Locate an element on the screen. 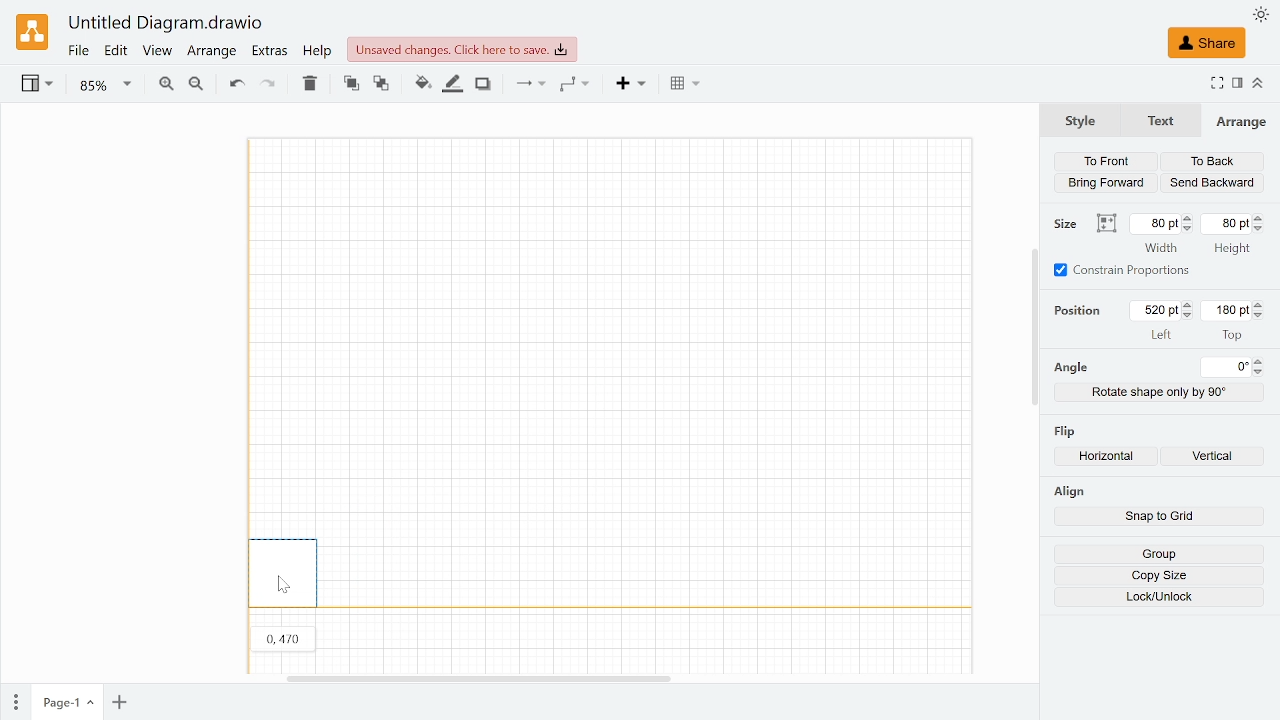 The height and width of the screenshot is (720, 1280). Appearence is located at coordinates (1261, 15).